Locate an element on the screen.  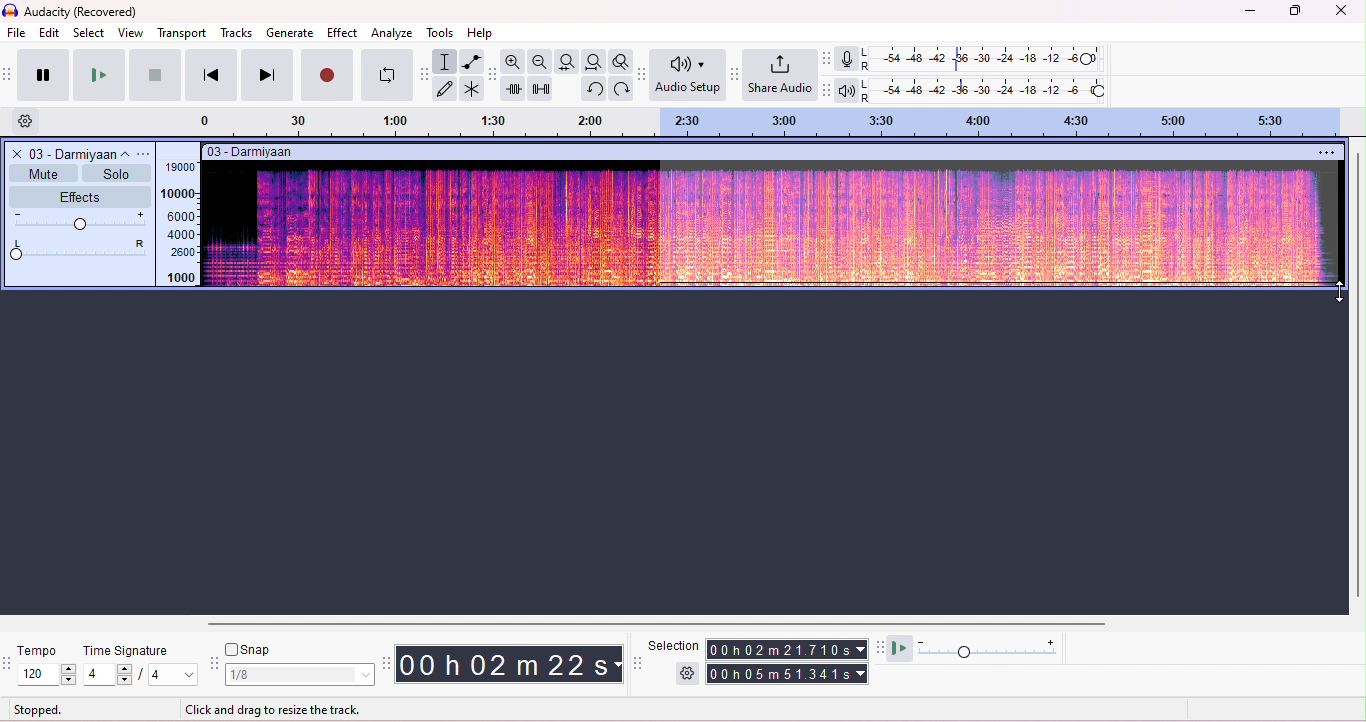
generate is located at coordinates (290, 32).